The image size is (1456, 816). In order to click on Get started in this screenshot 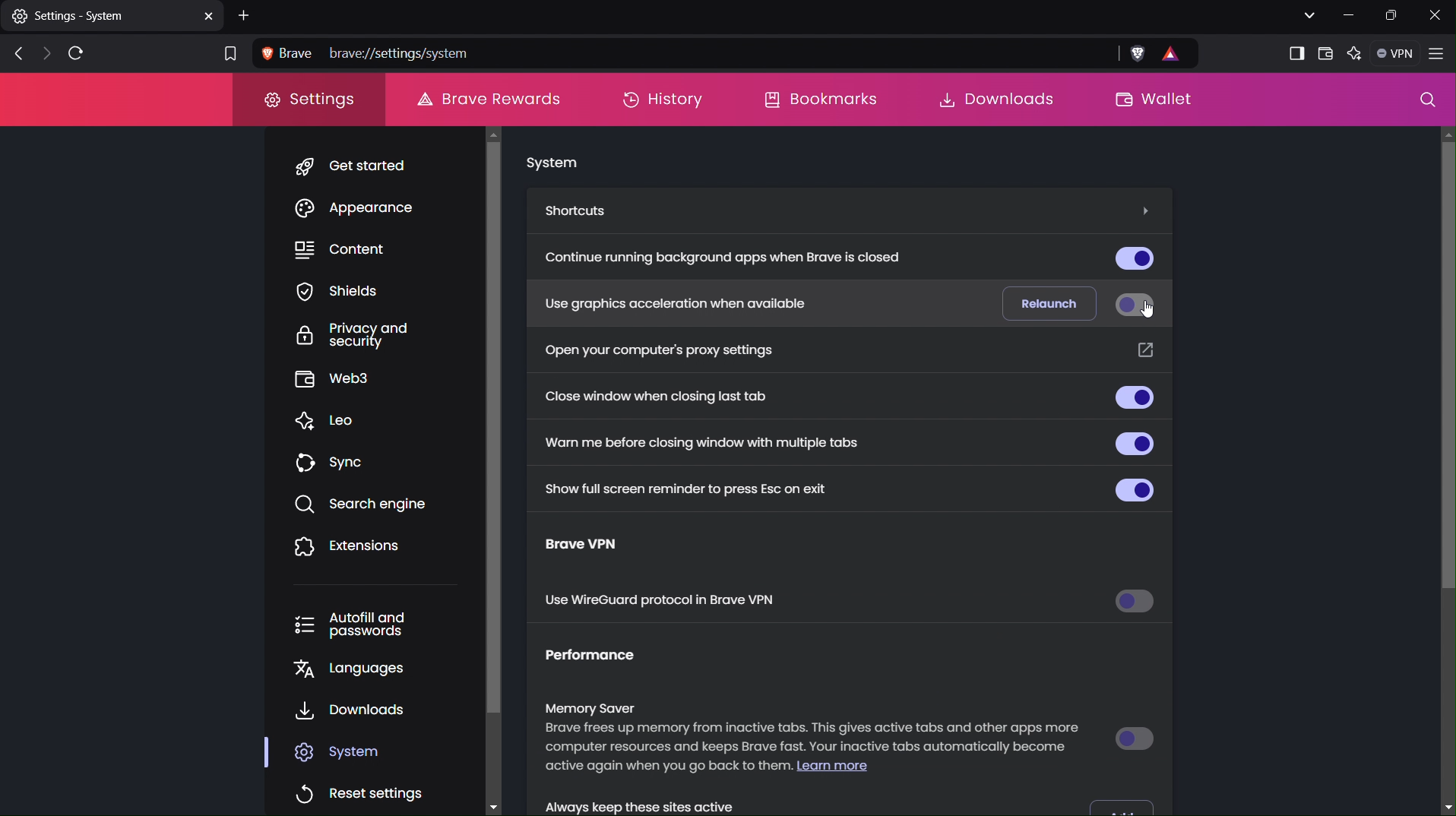, I will do `click(358, 166)`.